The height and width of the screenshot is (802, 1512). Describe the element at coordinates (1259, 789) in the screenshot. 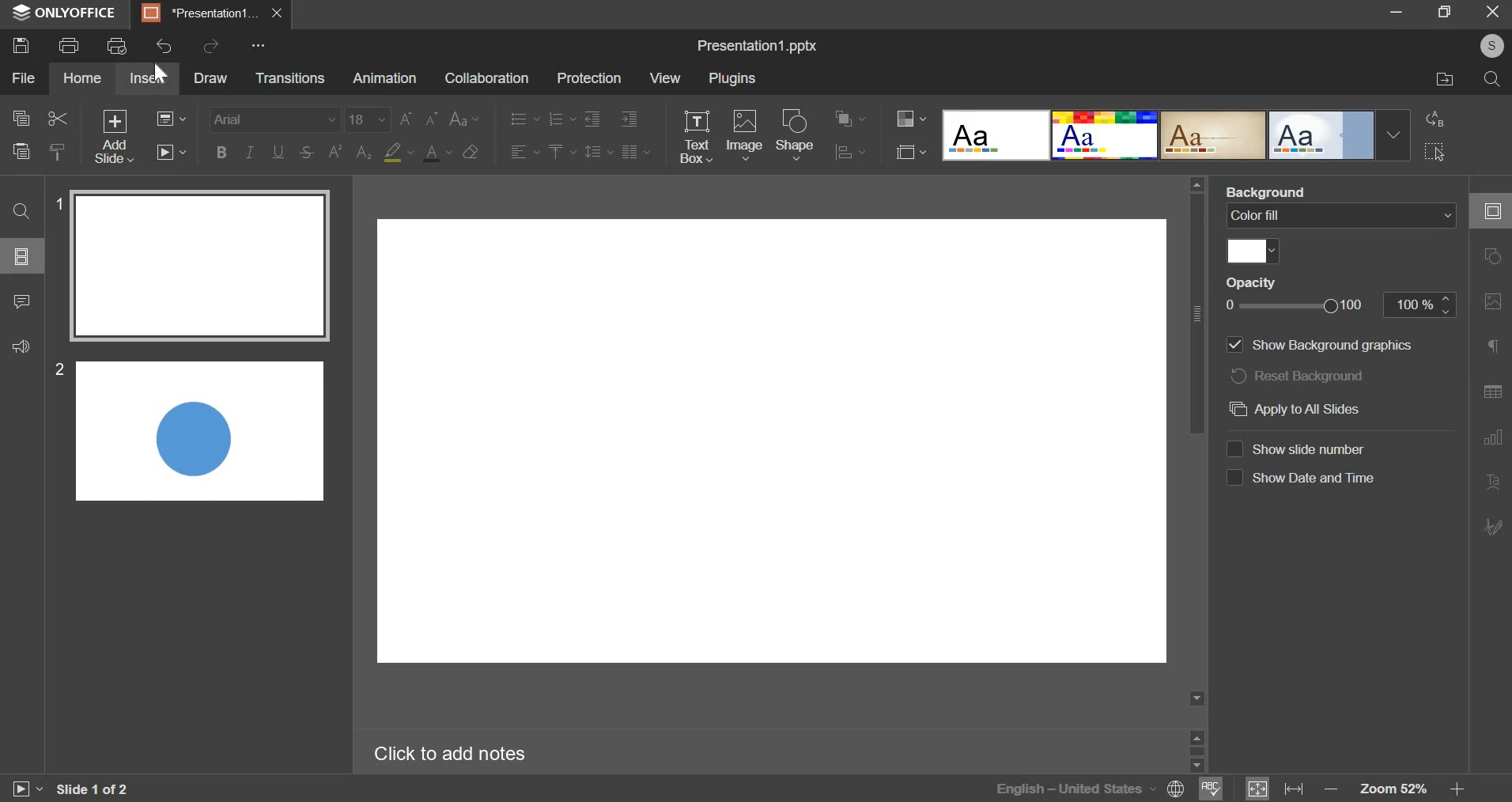

I see `fit to slide` at that location.